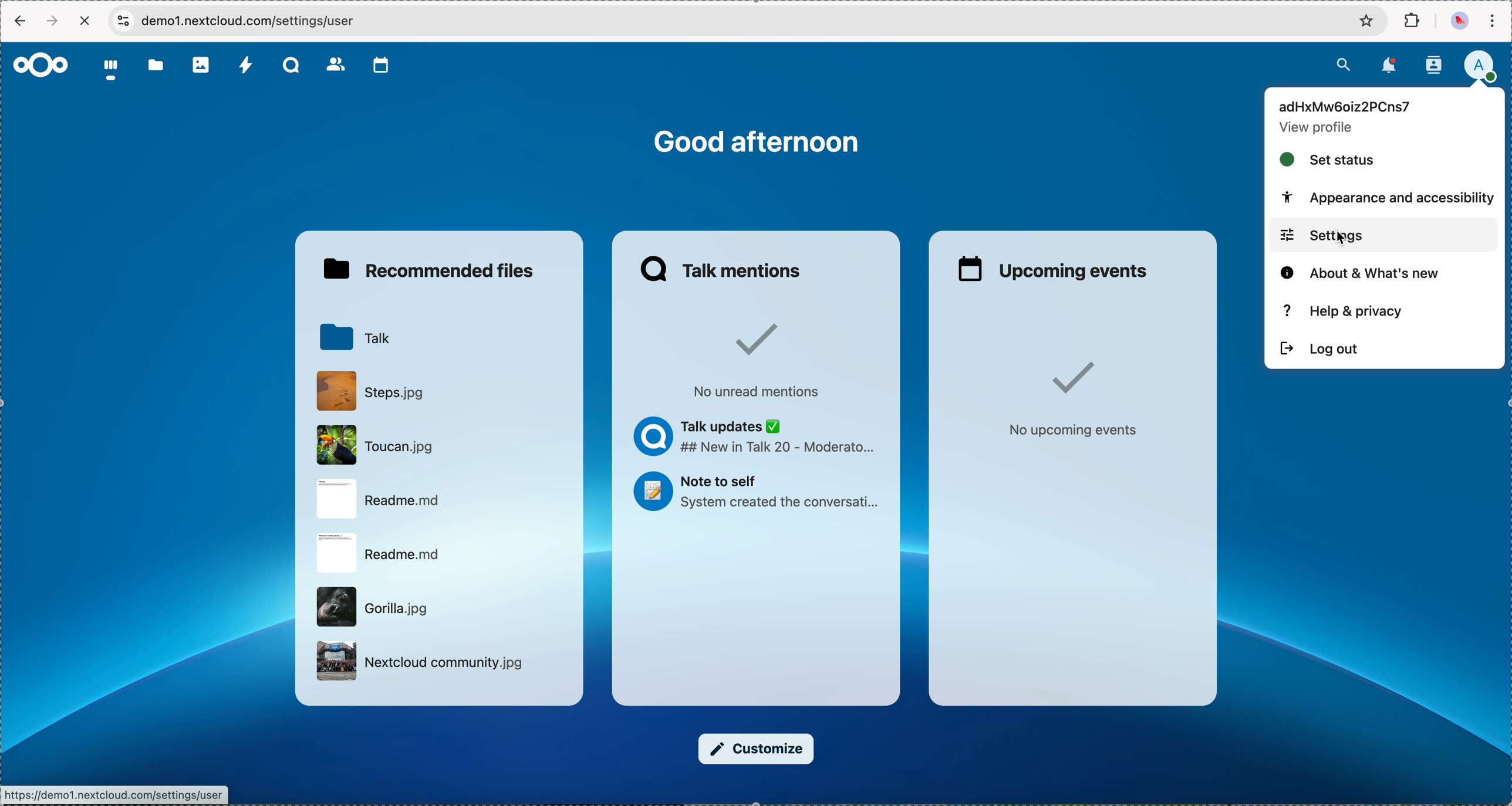 The image size is (1512, 806). What do you see at coordinates (1458, 22) in the screenshot?
I see `profile picture` at bounding box center [1458, 22].